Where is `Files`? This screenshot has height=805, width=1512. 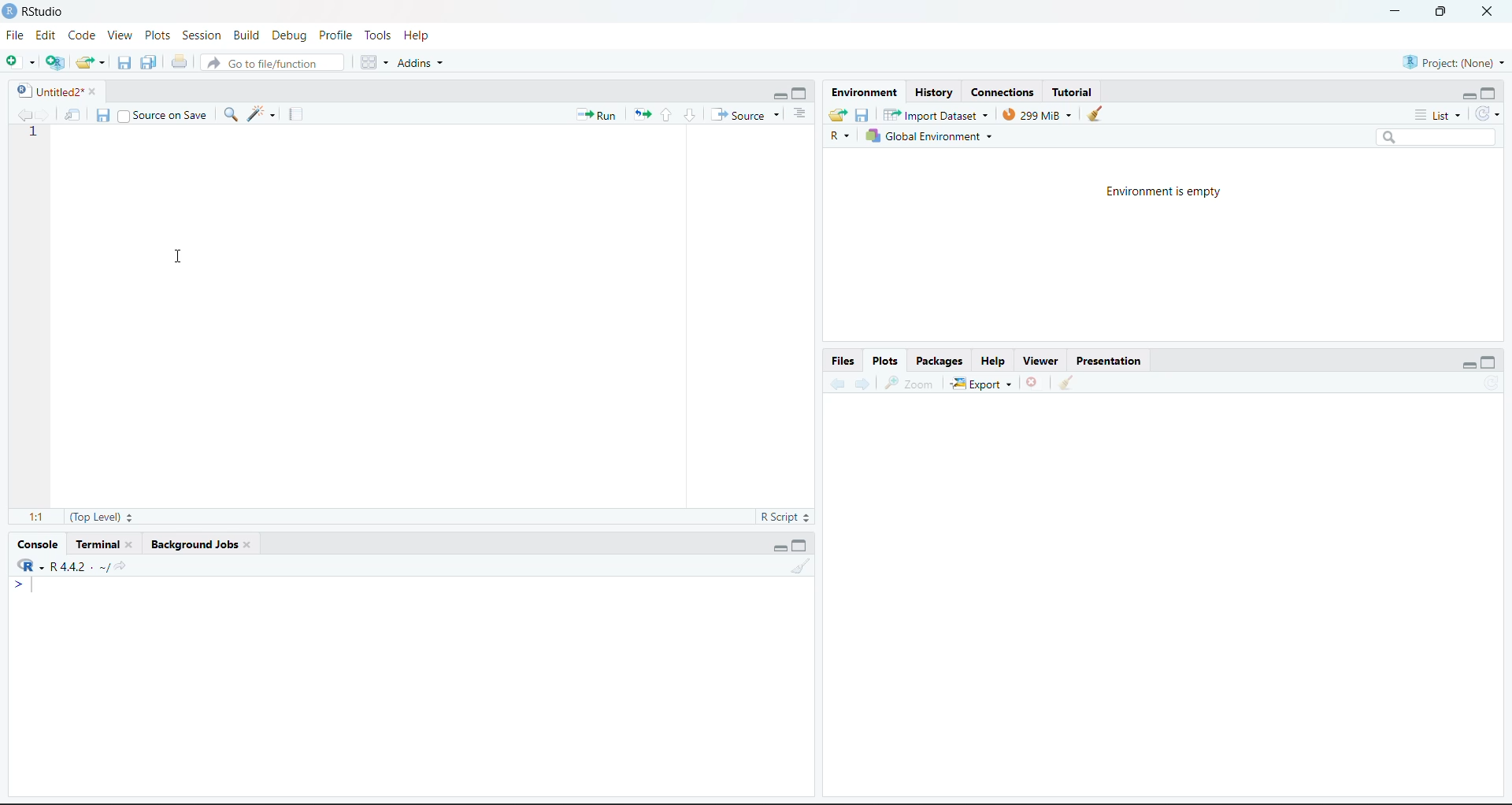
Files is located at coordinates (843, 361).